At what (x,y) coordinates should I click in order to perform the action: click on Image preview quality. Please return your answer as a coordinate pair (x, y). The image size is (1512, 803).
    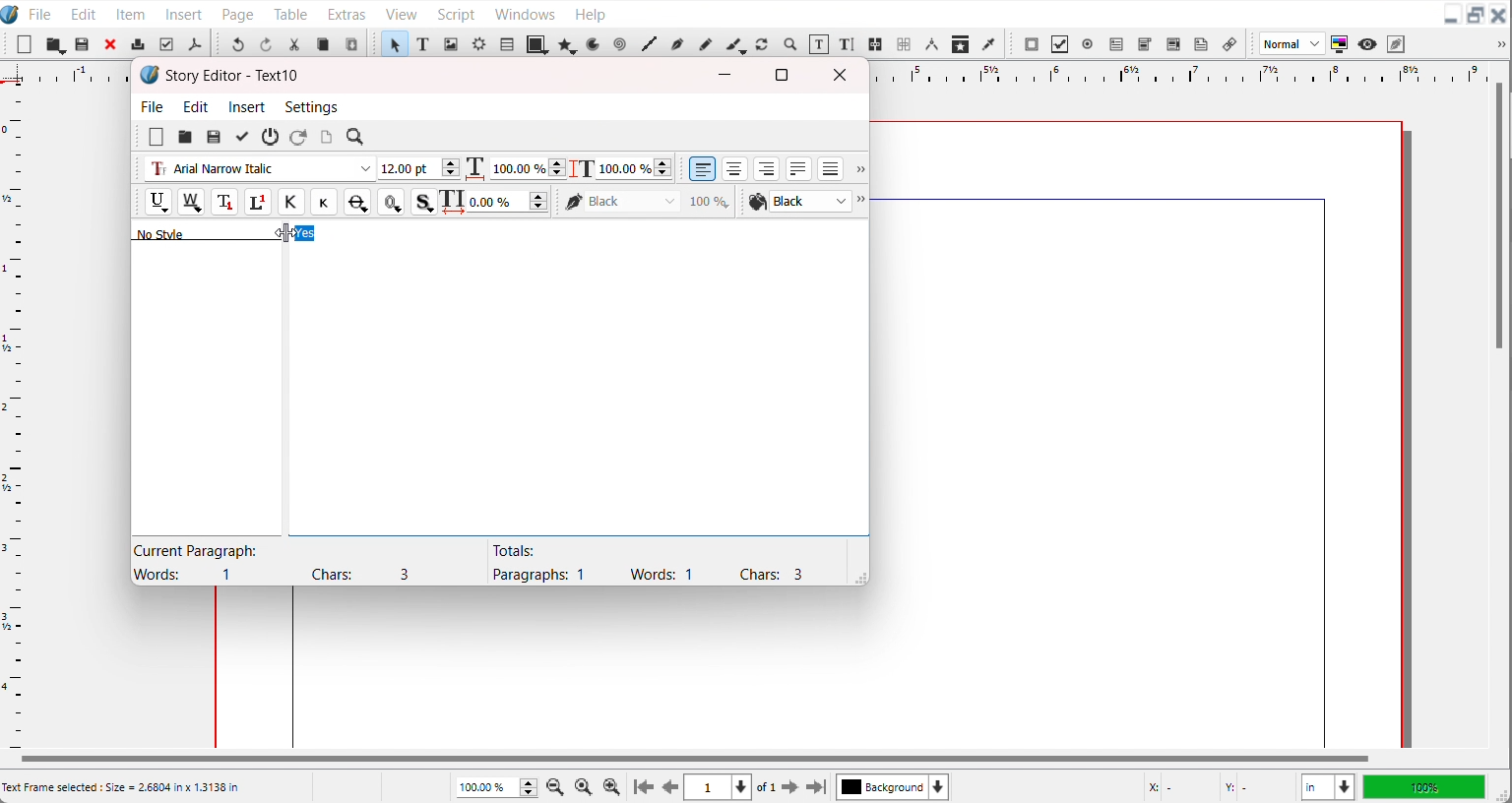
    Looking at the image, I should click on (1292, 43).